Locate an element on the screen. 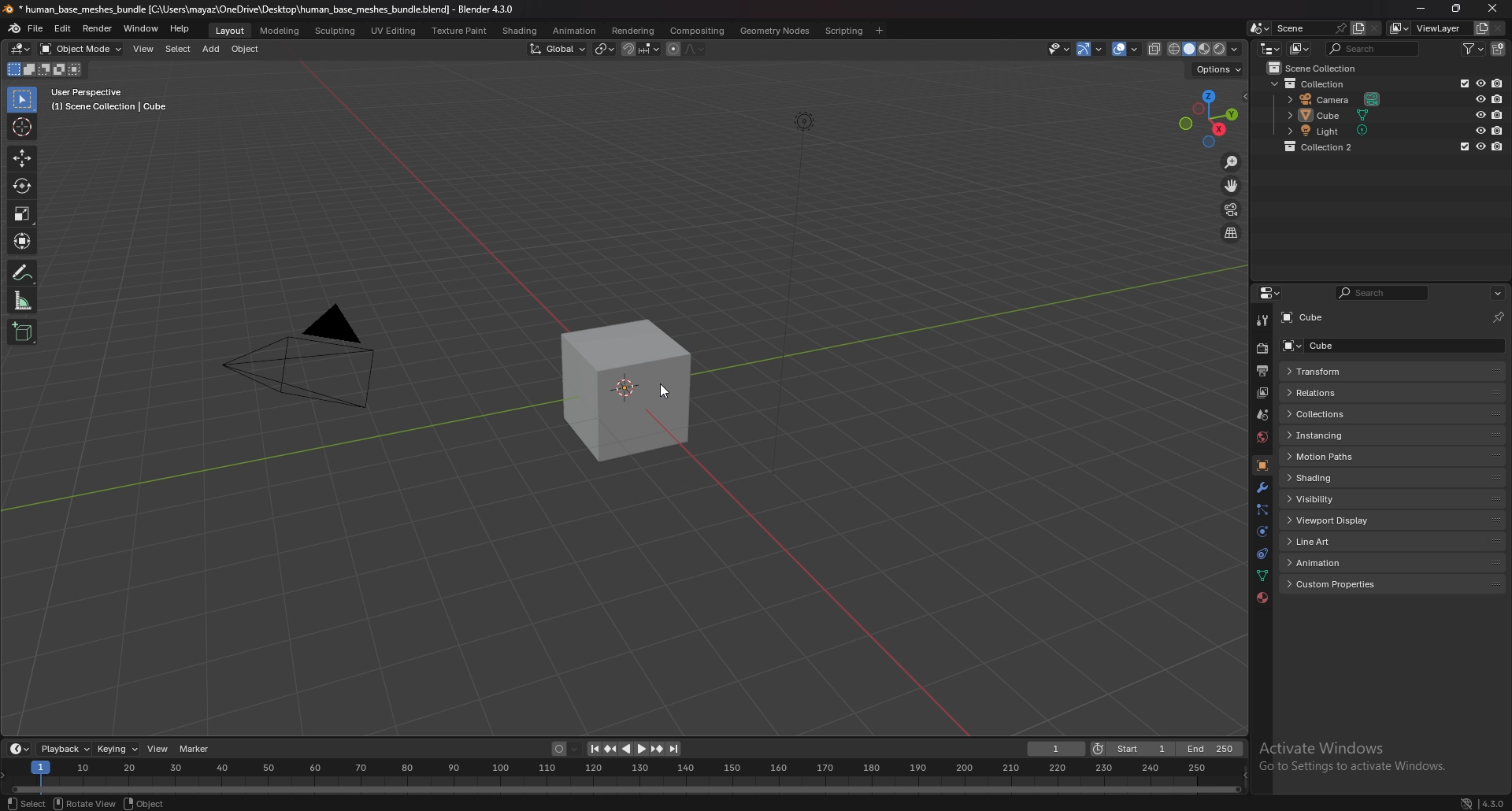 This screenshot has height=811, width=1512. show overlays is located at coordinates (1127, 48).